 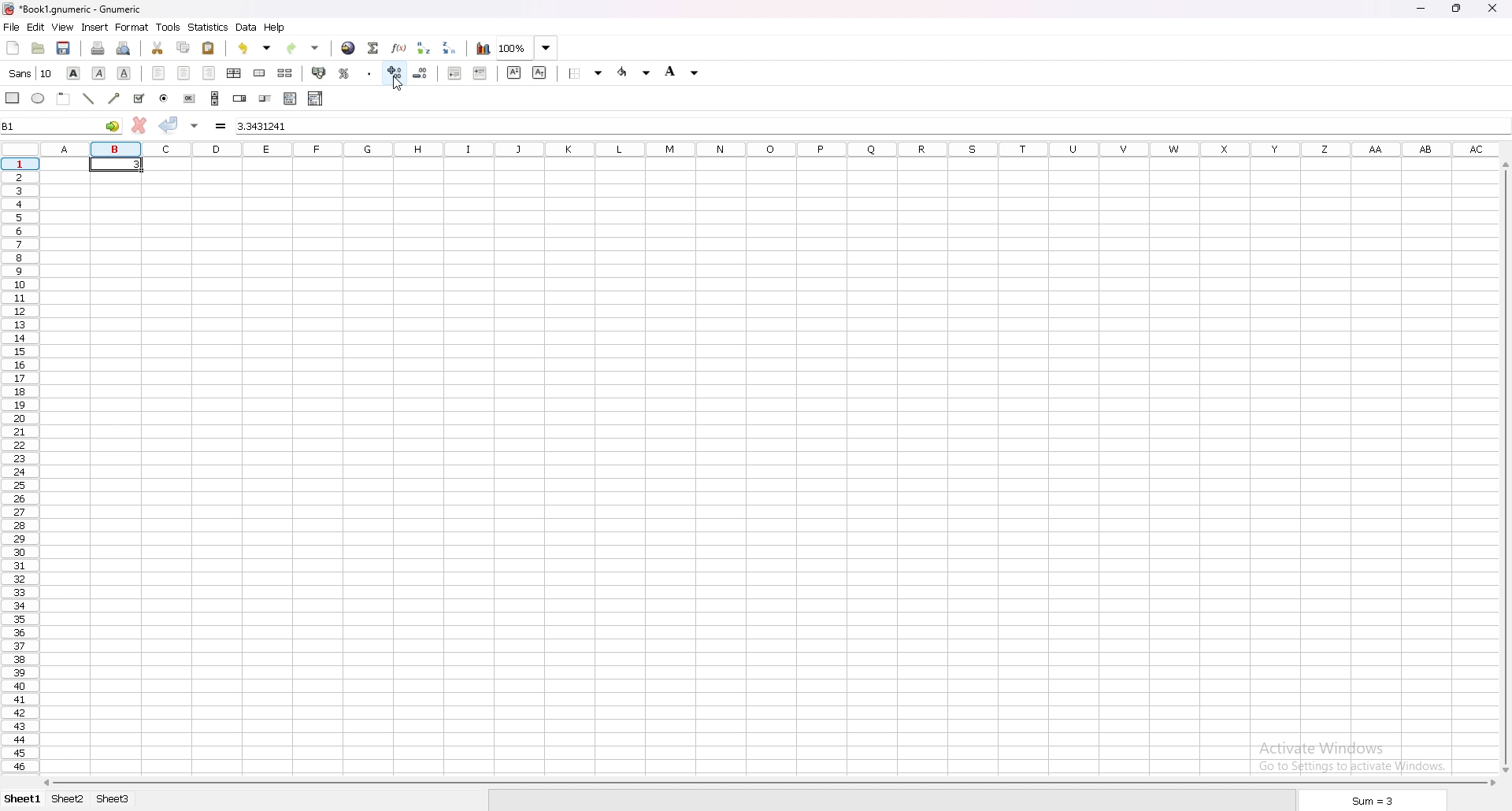 I want to click on percentage, so click(x=344, y=73).